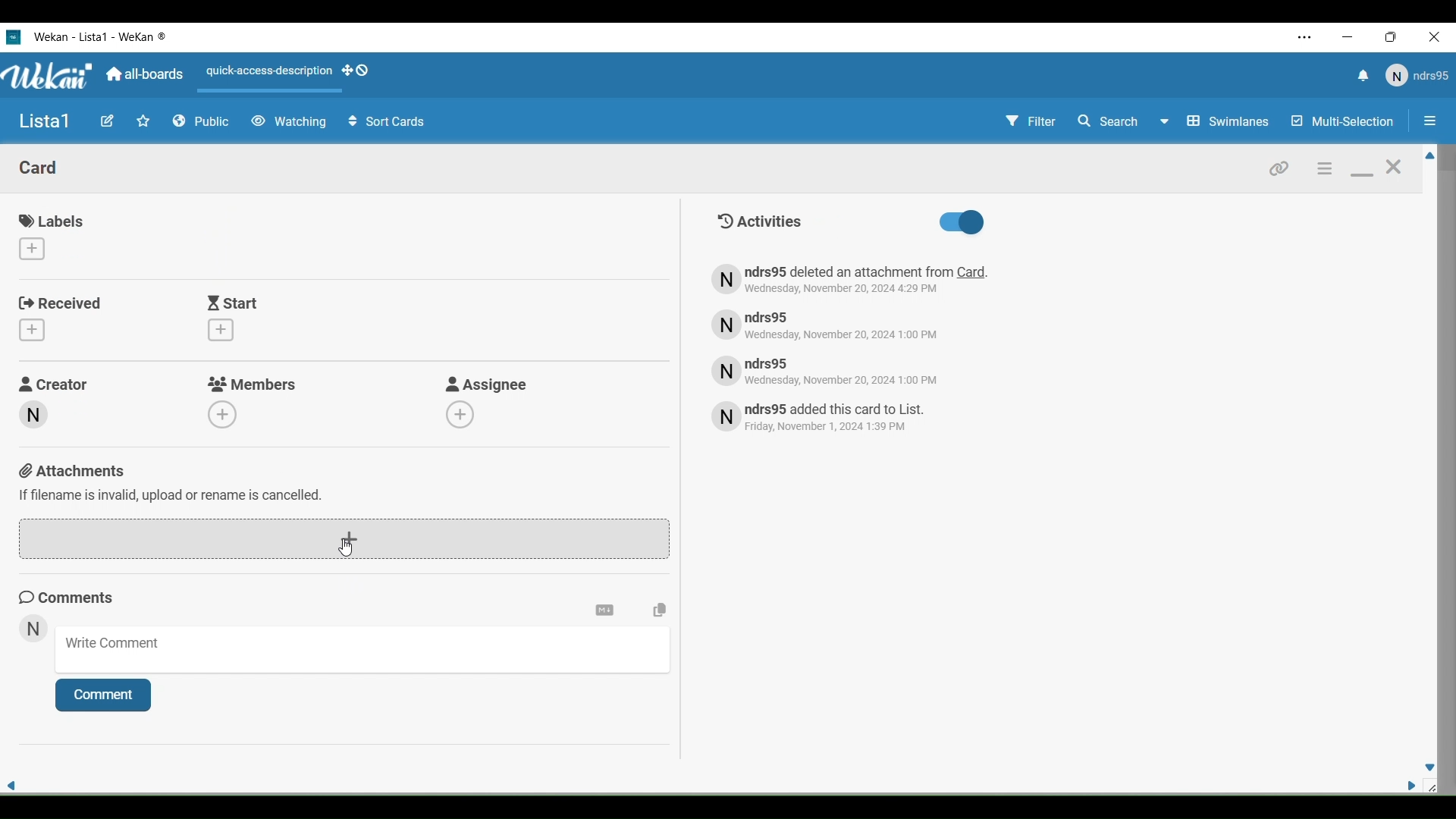 The height and width of the screenshot is (819, 1456). What do you see at coordinates (1427, 123) in the screenshot?
I see `Option` at bounding box center [1427, 123].